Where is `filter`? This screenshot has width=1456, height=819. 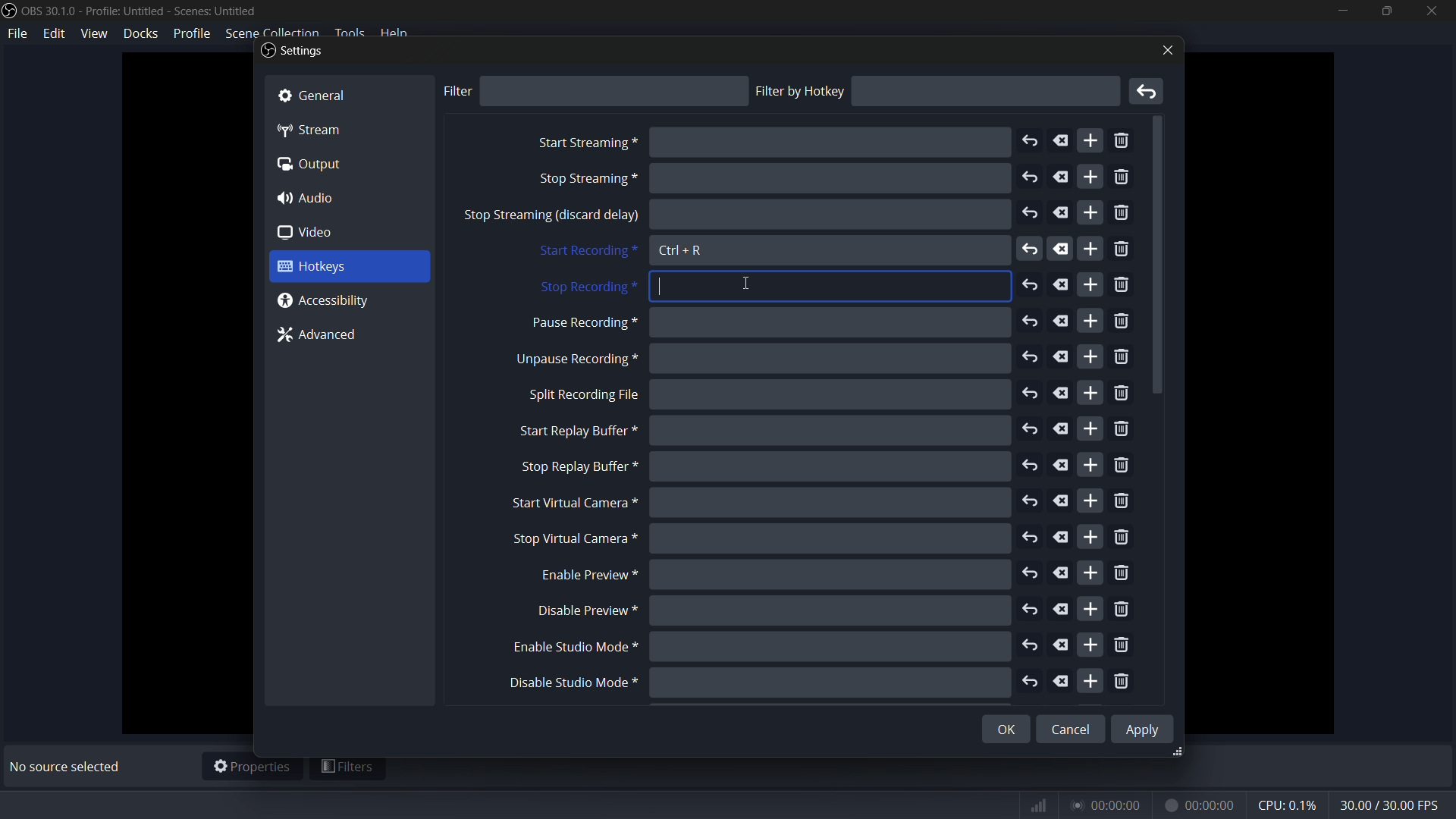
filter is located at coordinates (457, 91).